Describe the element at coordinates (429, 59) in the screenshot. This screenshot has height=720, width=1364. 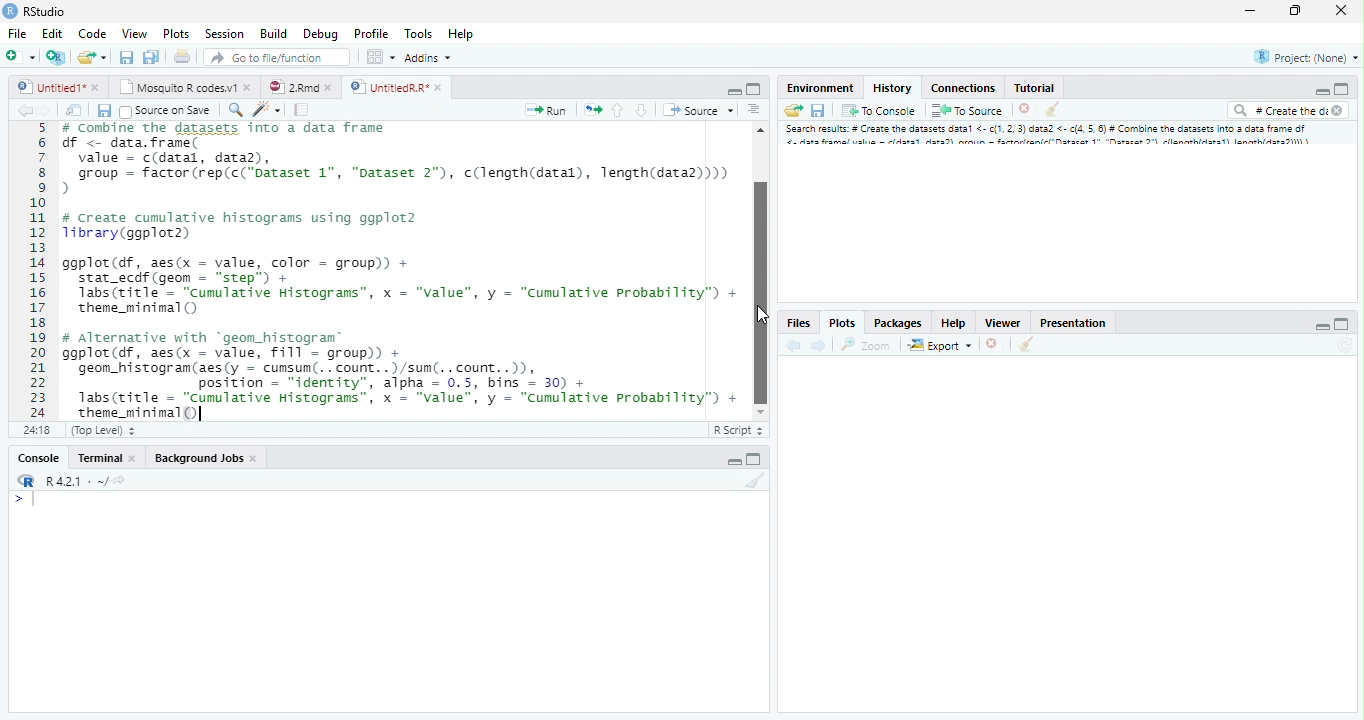
I see `Addins` at that location.